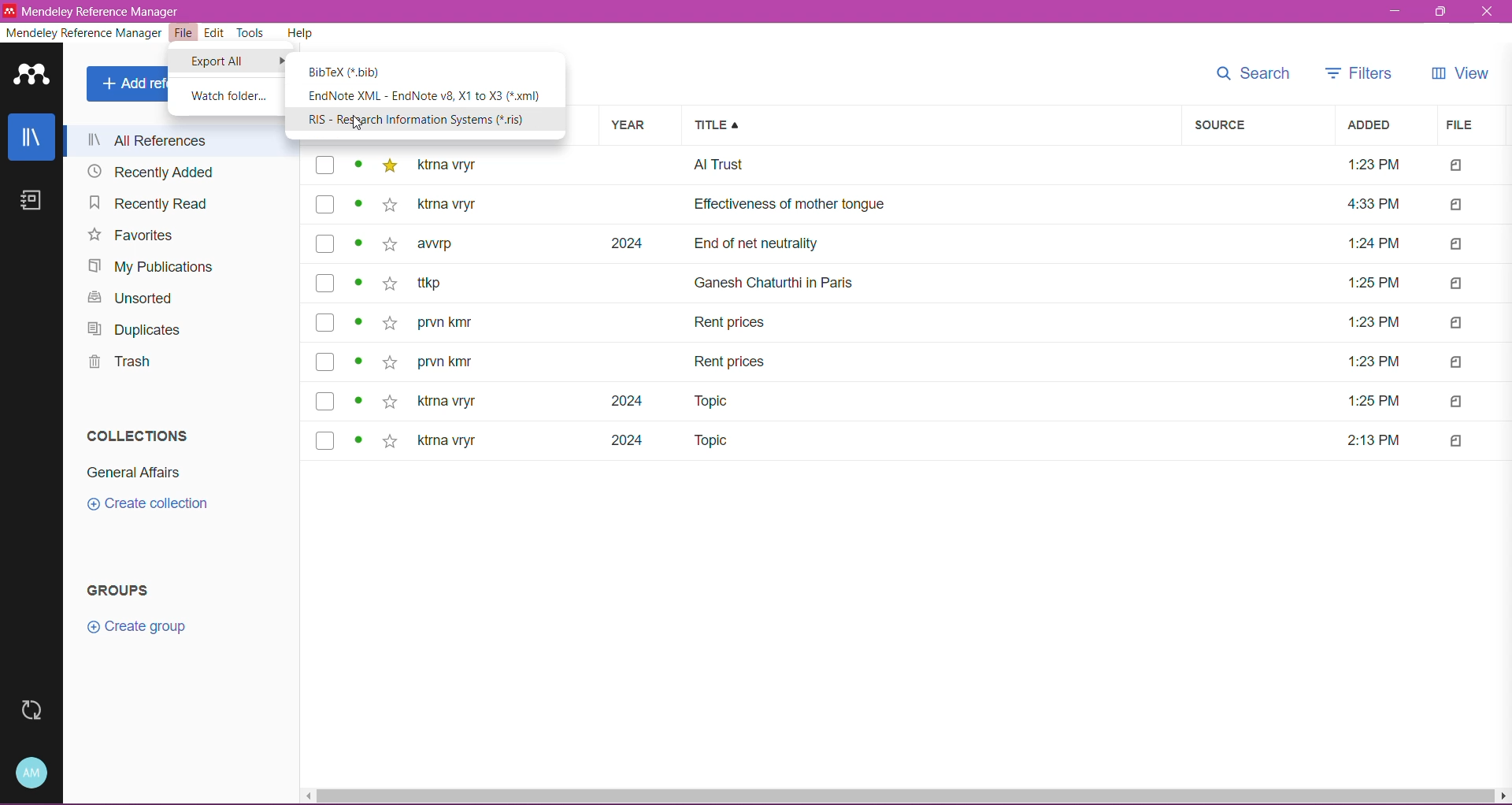  Describe the element at coordinates (116, 589) in the screenshot. I see `Groups` at that location.